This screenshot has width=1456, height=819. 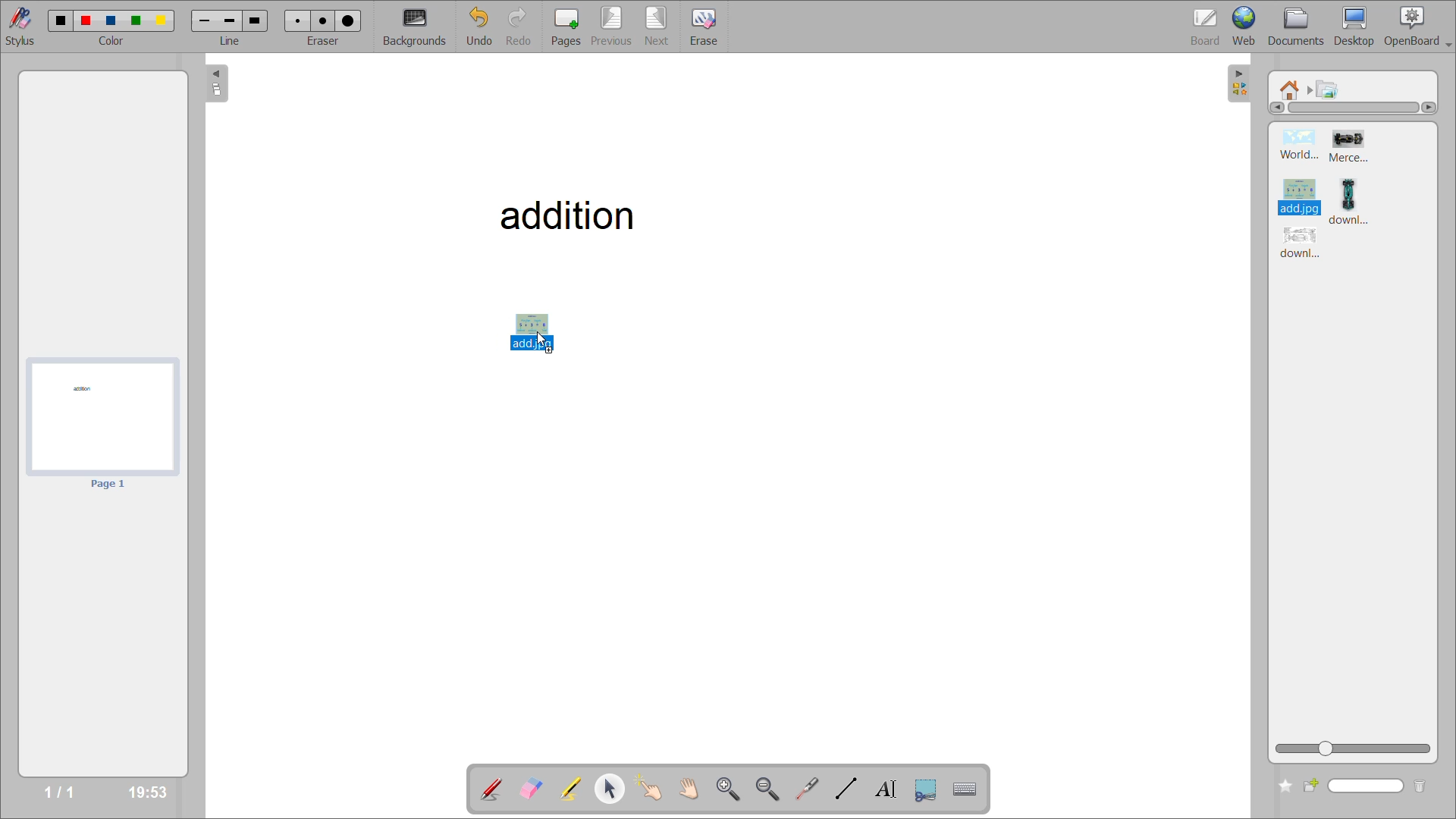 I want to click on desktop, so click(x=1359, y=27).